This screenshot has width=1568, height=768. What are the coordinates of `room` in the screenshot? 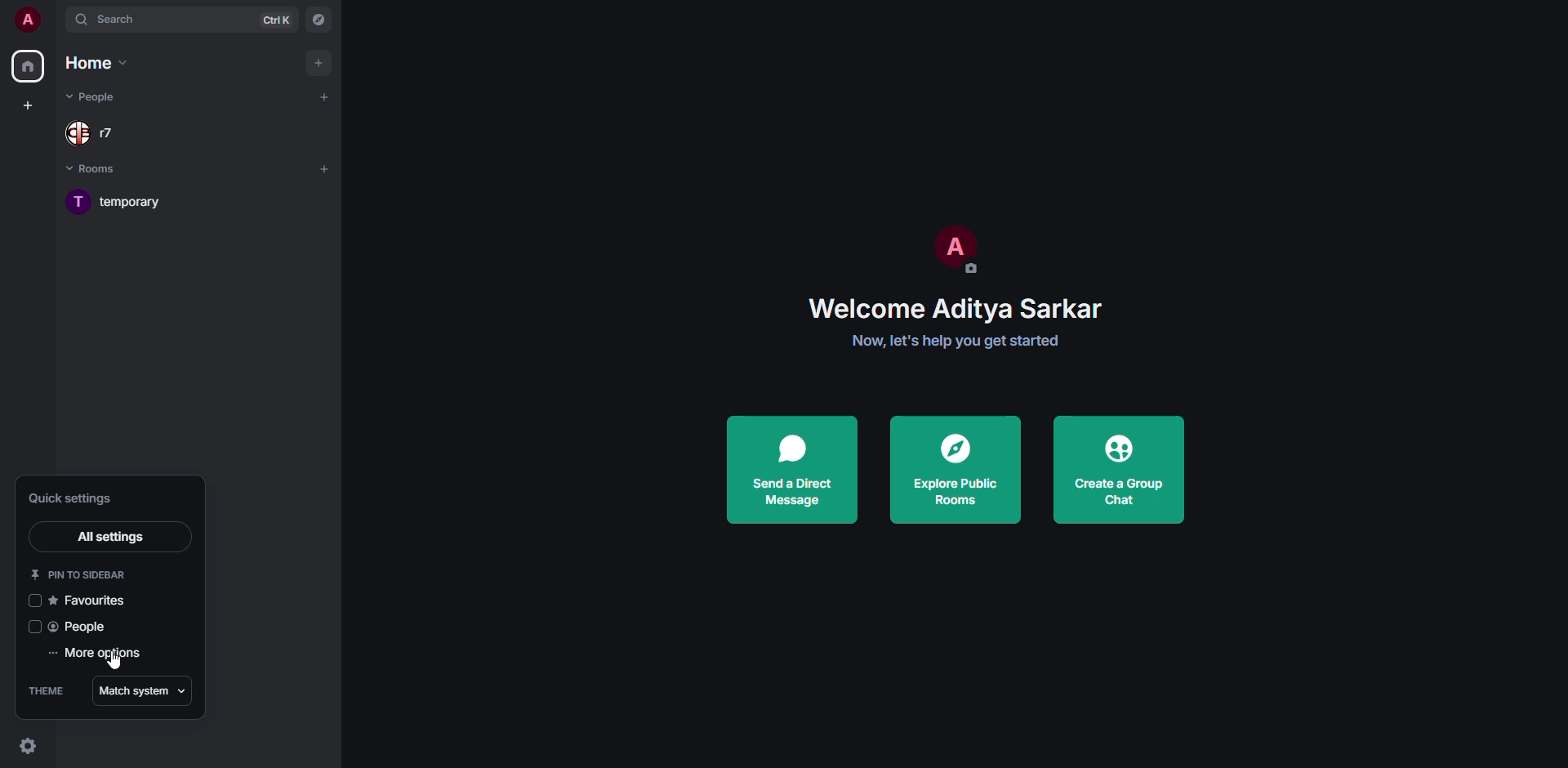 It's located at (134, 201).